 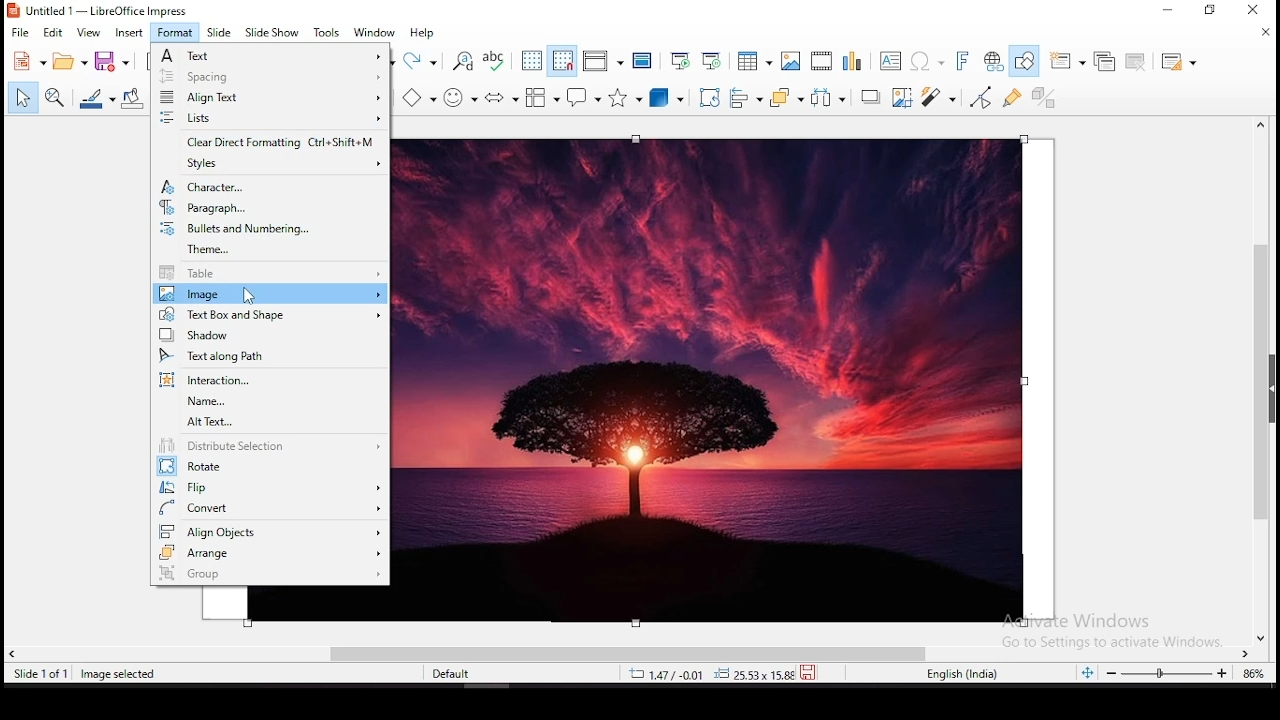 I want to click on tables, so click(x=752, y=61).